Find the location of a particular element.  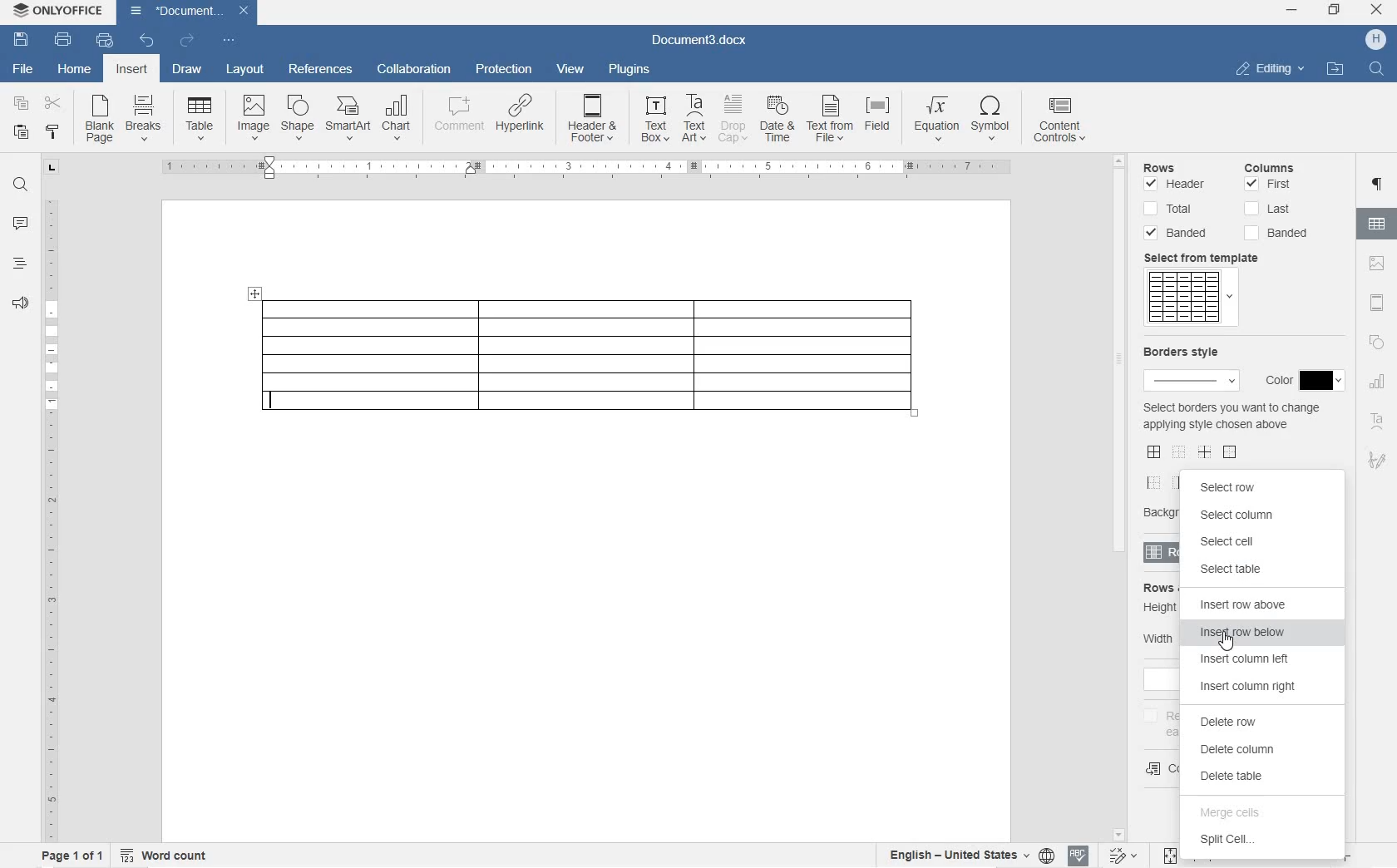

FIELD is located at coordinates (876, 116).